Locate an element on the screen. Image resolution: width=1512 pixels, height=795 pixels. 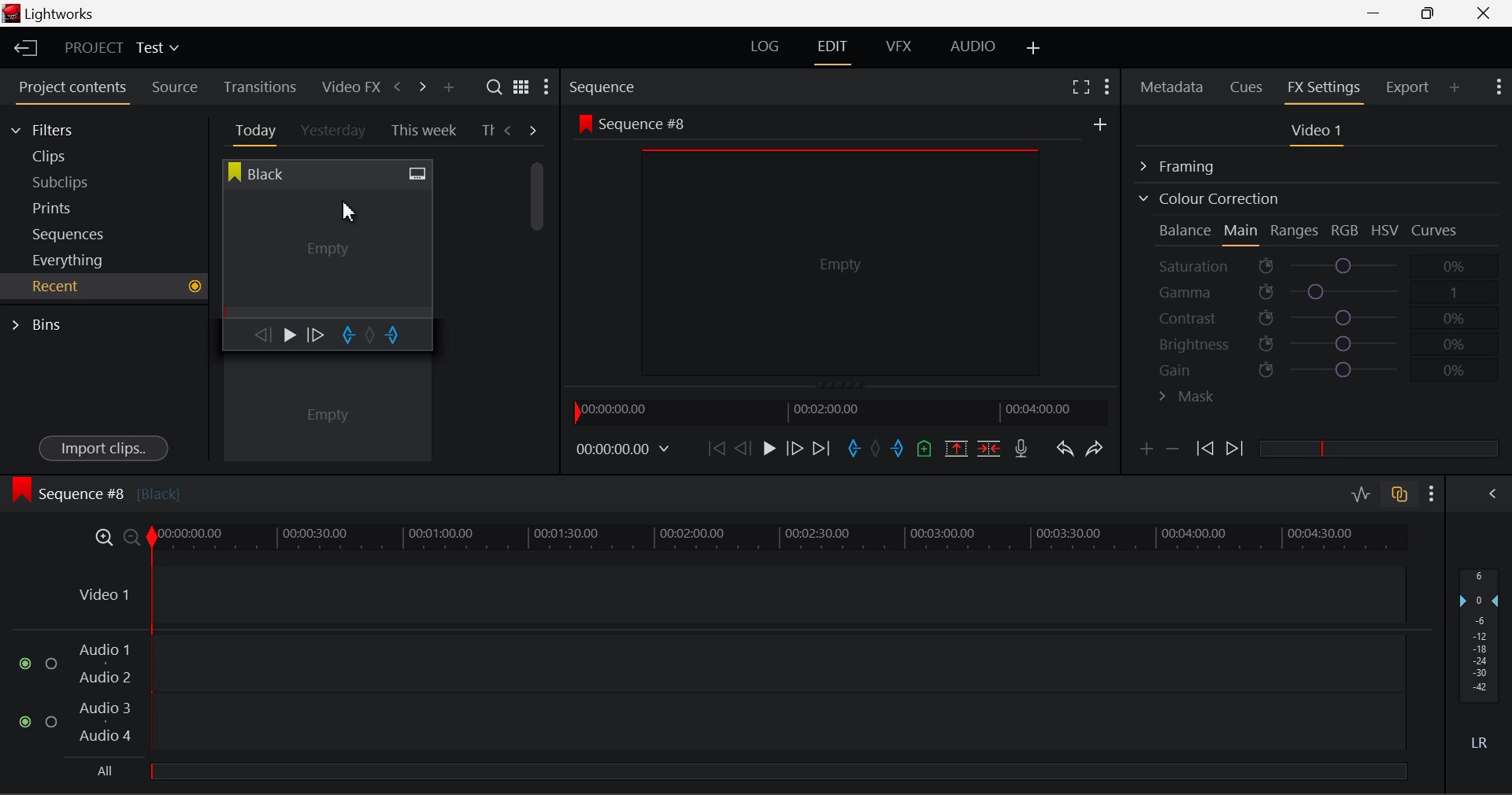
Import clips is located at coordinates (103, 449).